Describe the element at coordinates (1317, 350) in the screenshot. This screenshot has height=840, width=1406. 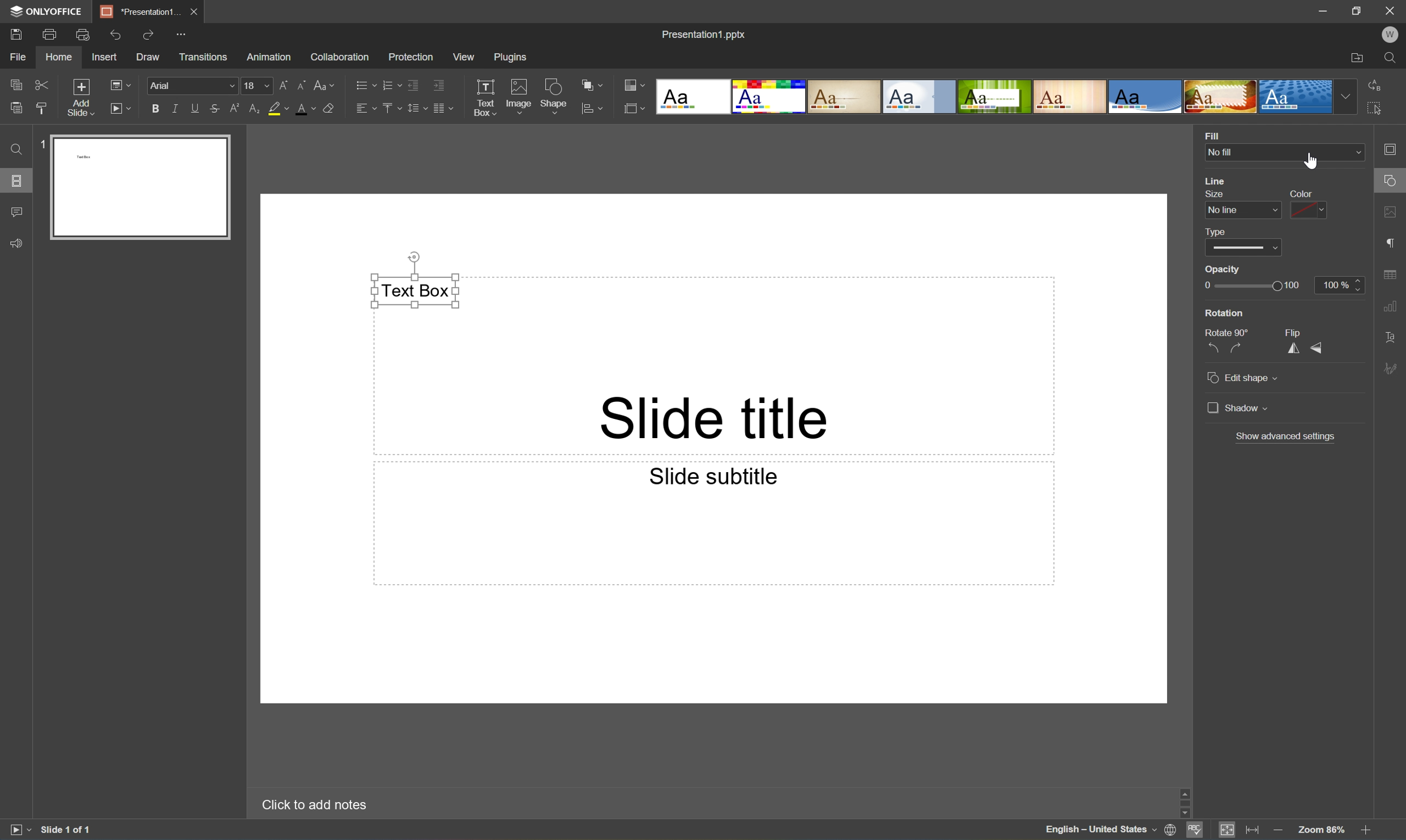
I see `Flip Vertical` at that location.